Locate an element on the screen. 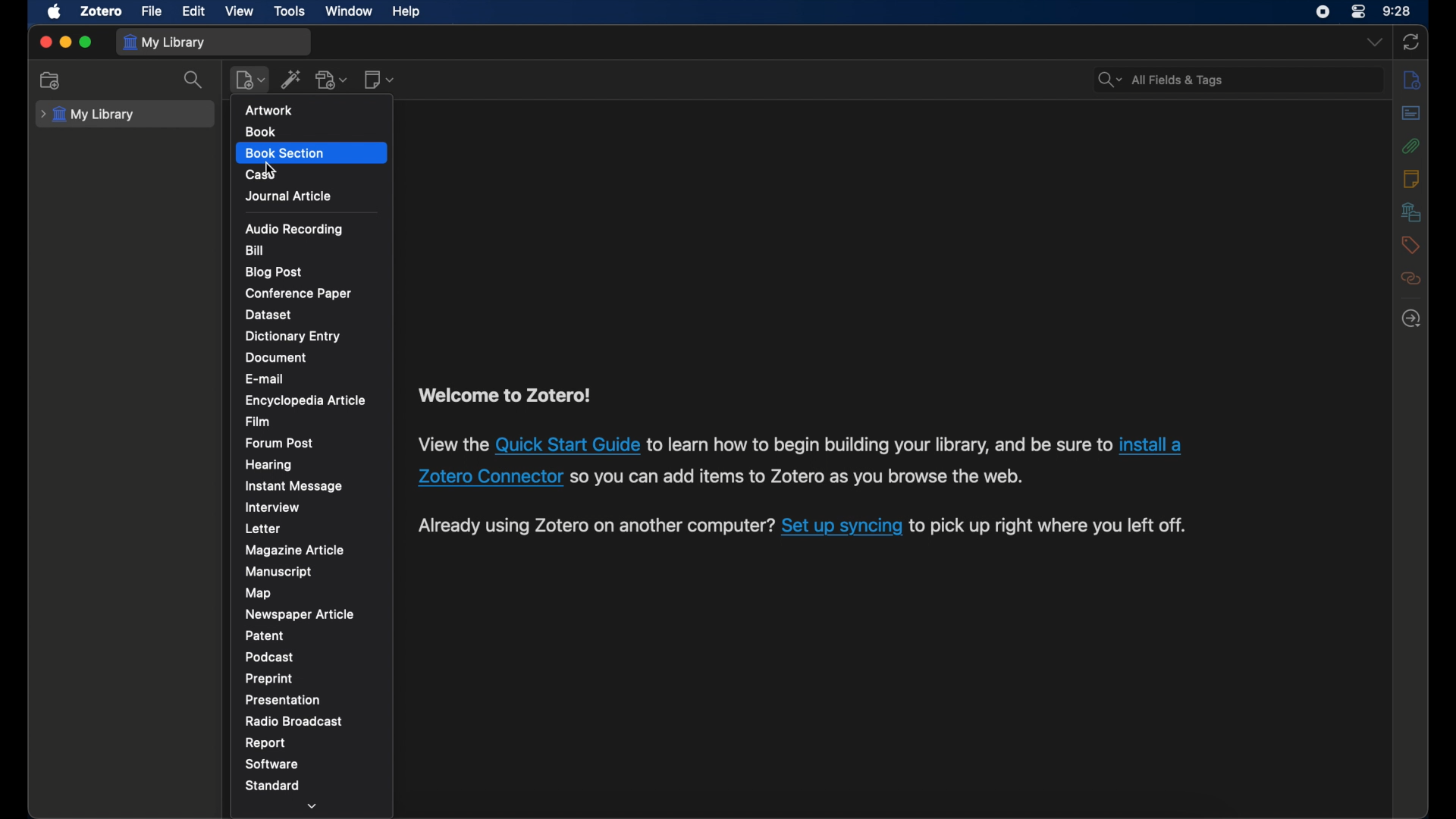 This screenshot has width=1456, height=819. software is located at coordinates (271, 764).